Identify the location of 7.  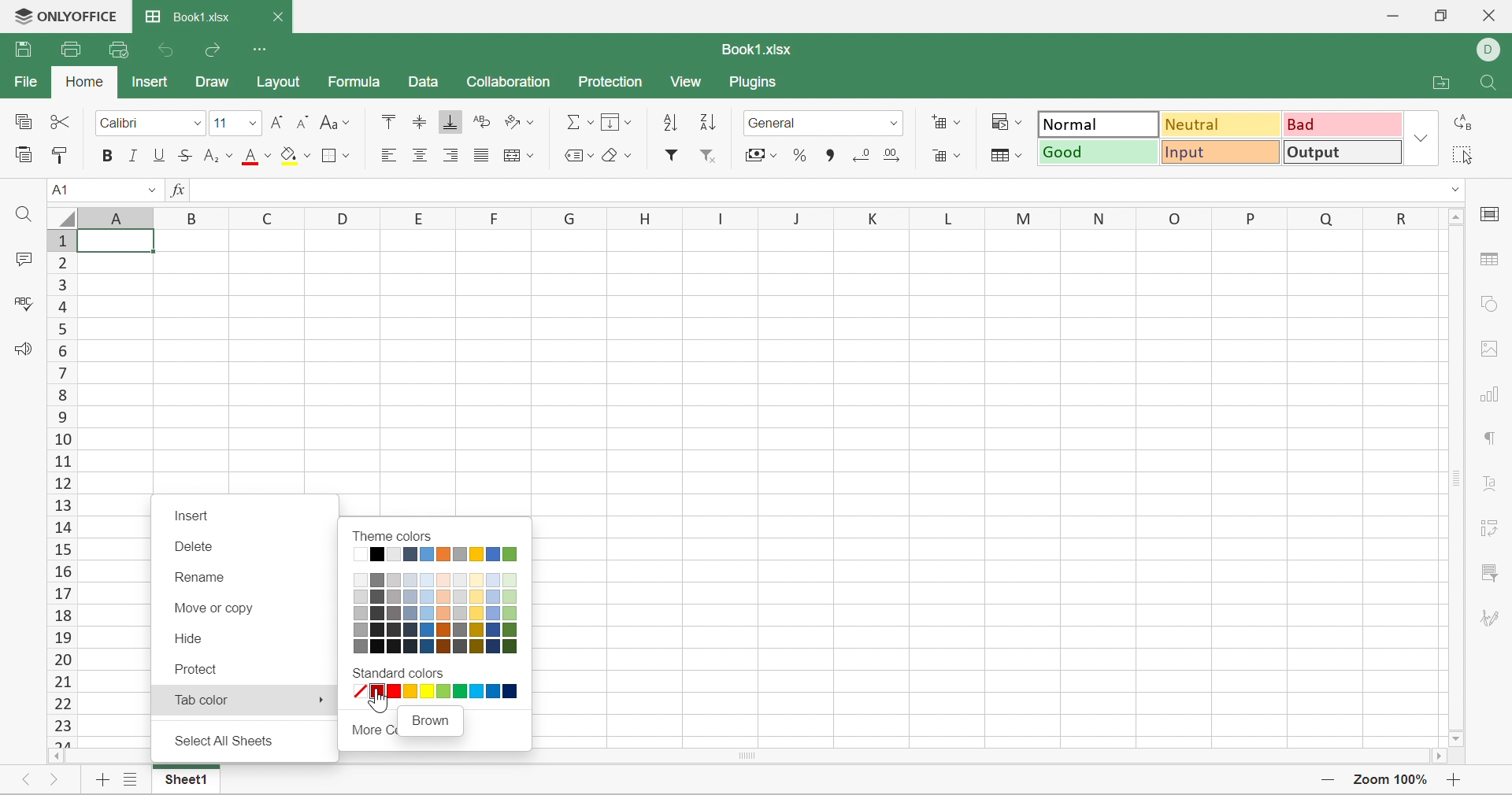
(60, 372).